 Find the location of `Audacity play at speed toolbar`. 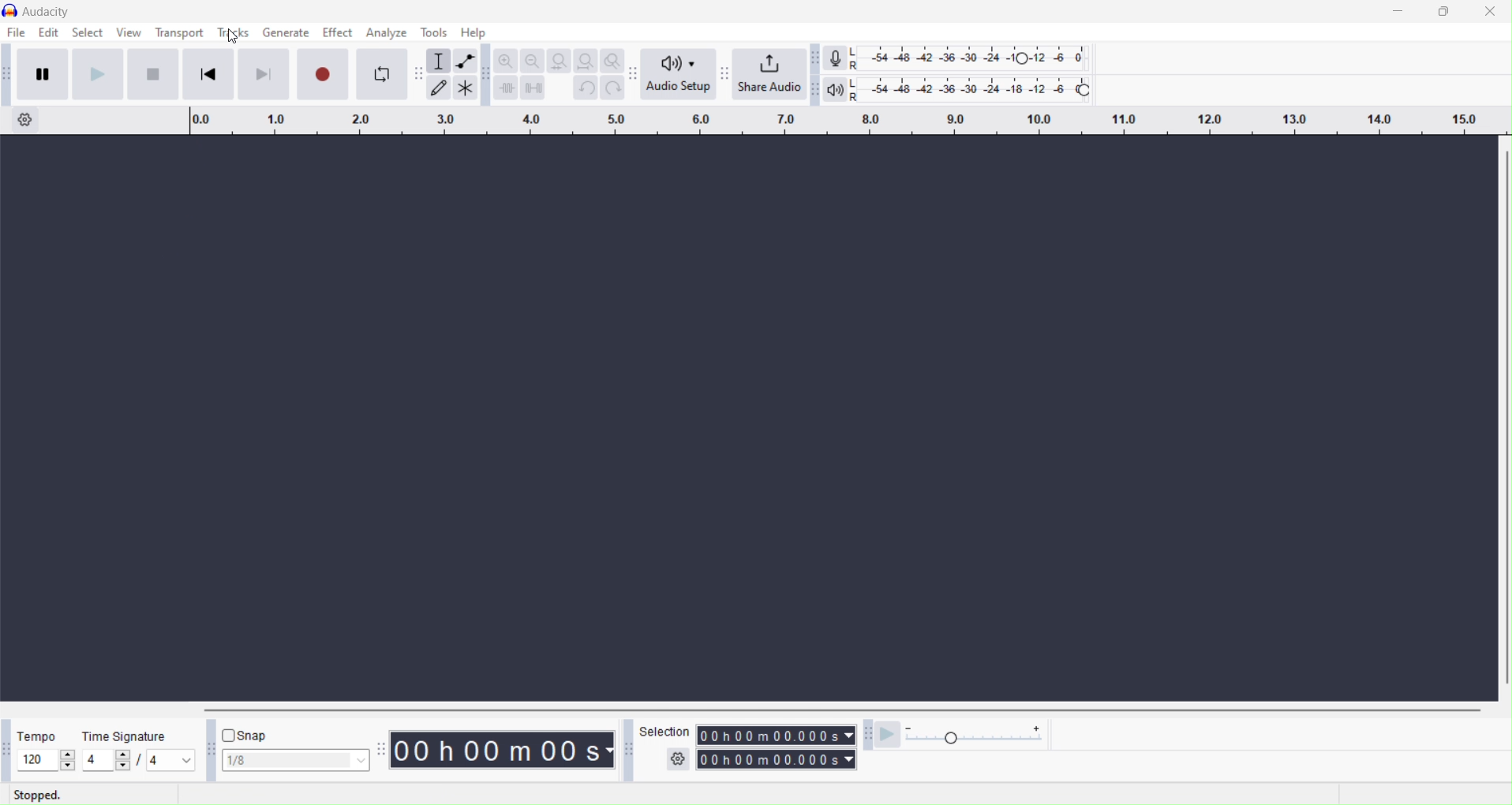

Audacity play at speed toolbar is located at coordinates (866, 738).